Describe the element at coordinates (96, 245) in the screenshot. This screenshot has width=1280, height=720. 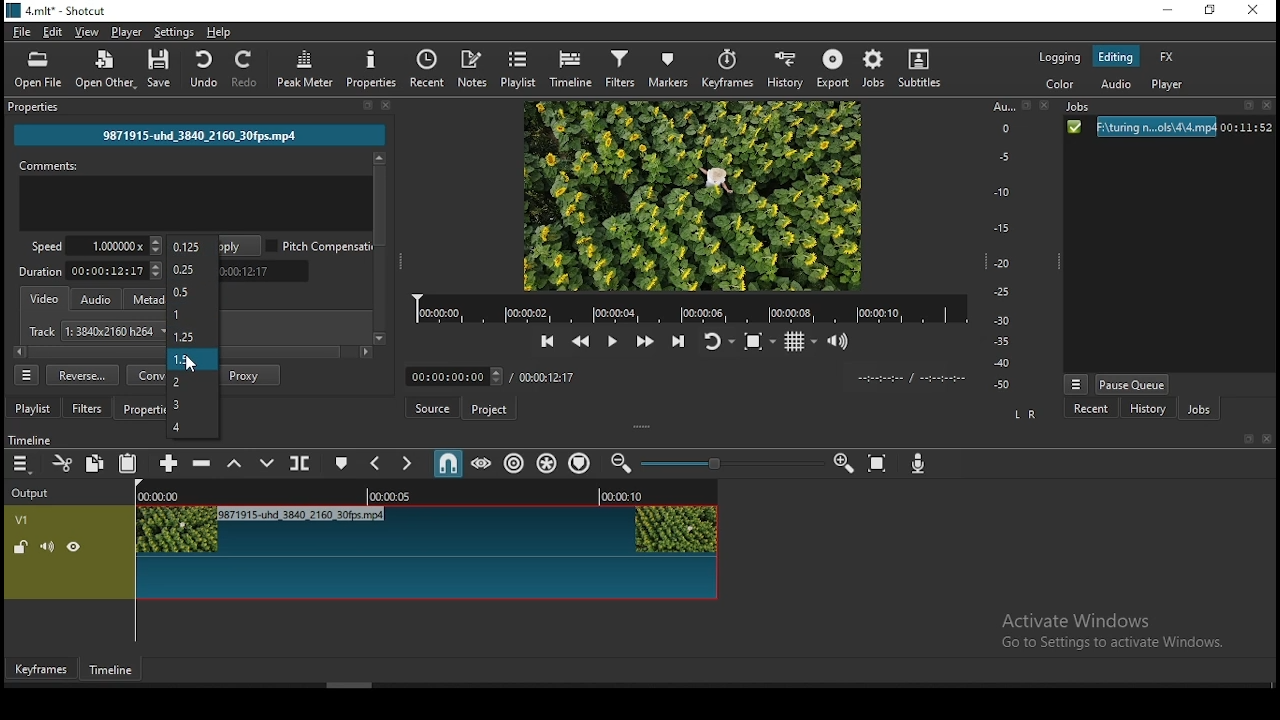
I see `playbacck speed` at that location.